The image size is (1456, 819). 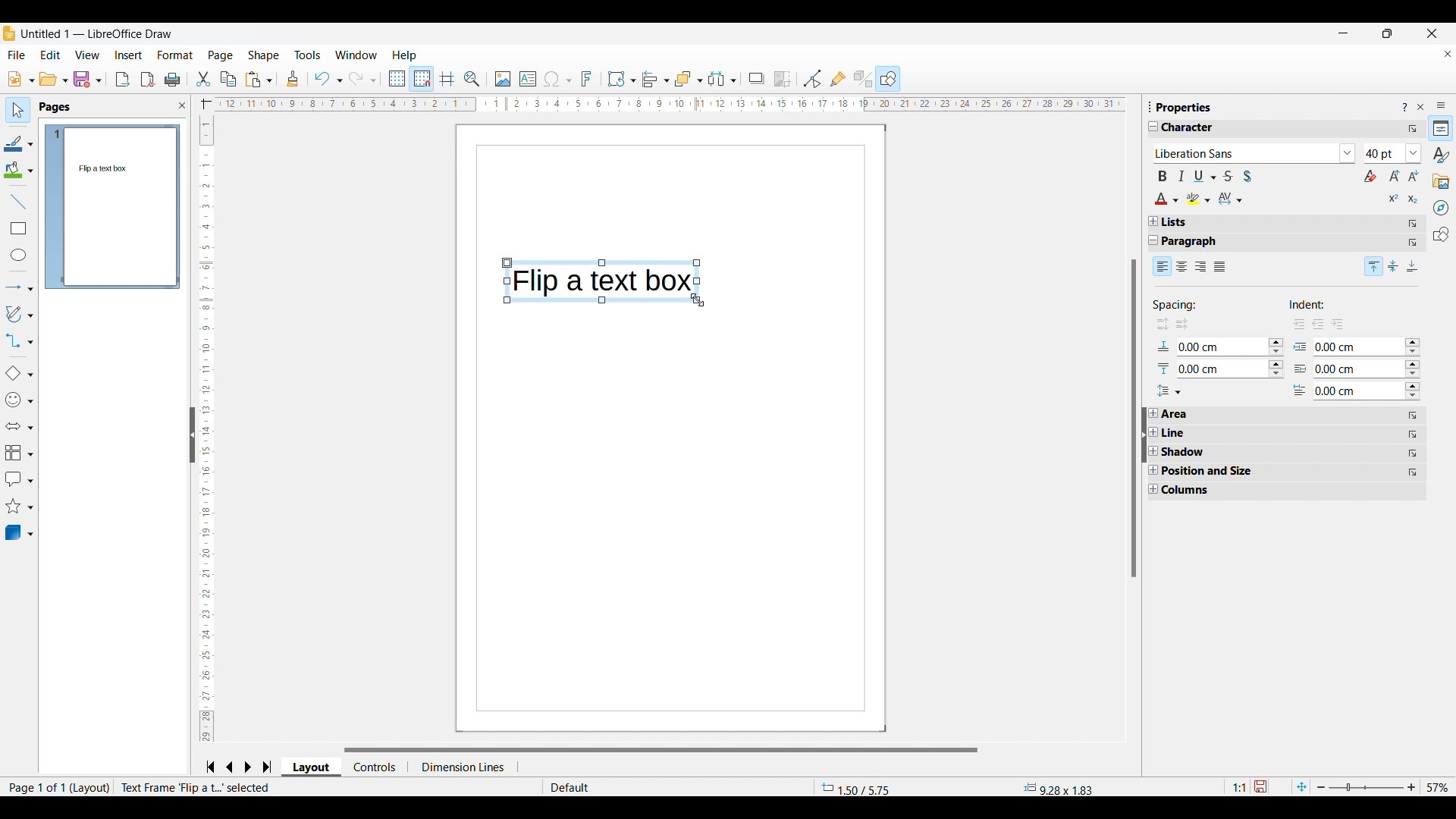 What do you see at coordinates (54, 207) in the screenshot?
I see `Current page highlighted` at bounding box center [54, 207].